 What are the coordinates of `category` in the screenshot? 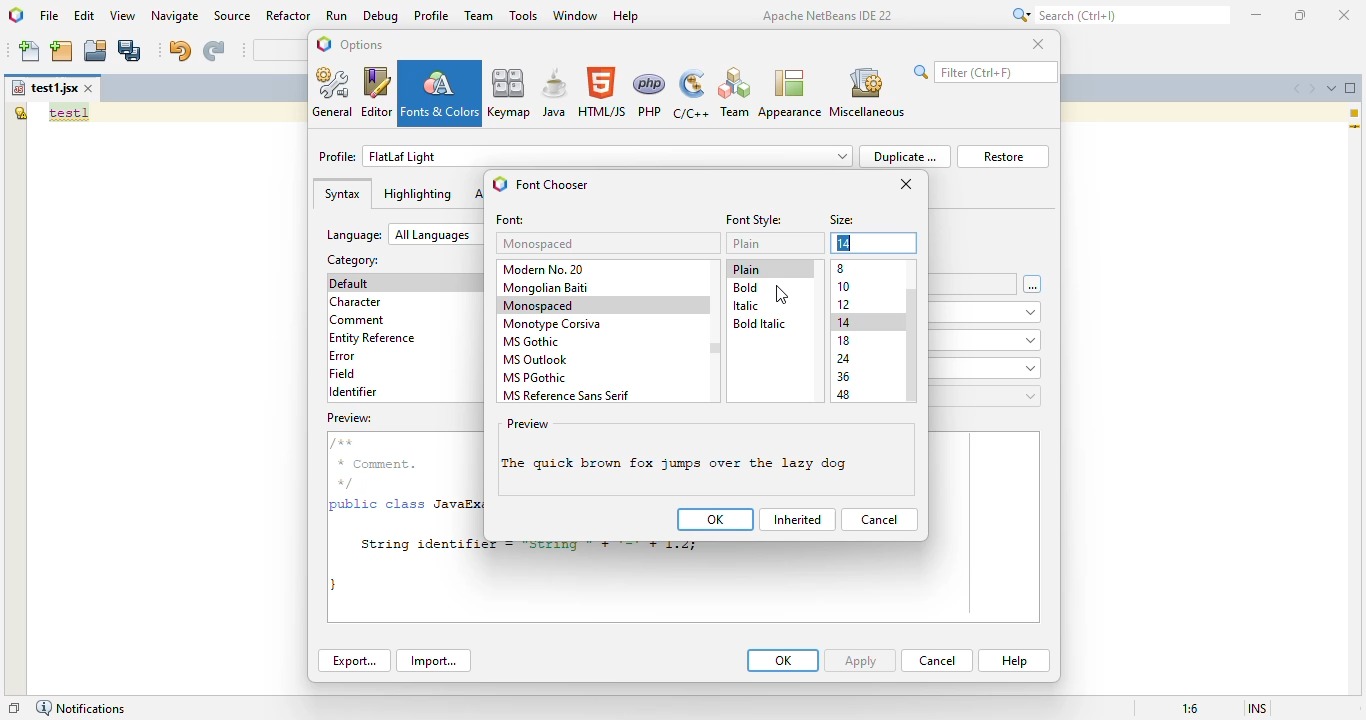 It's located at (353, 259).